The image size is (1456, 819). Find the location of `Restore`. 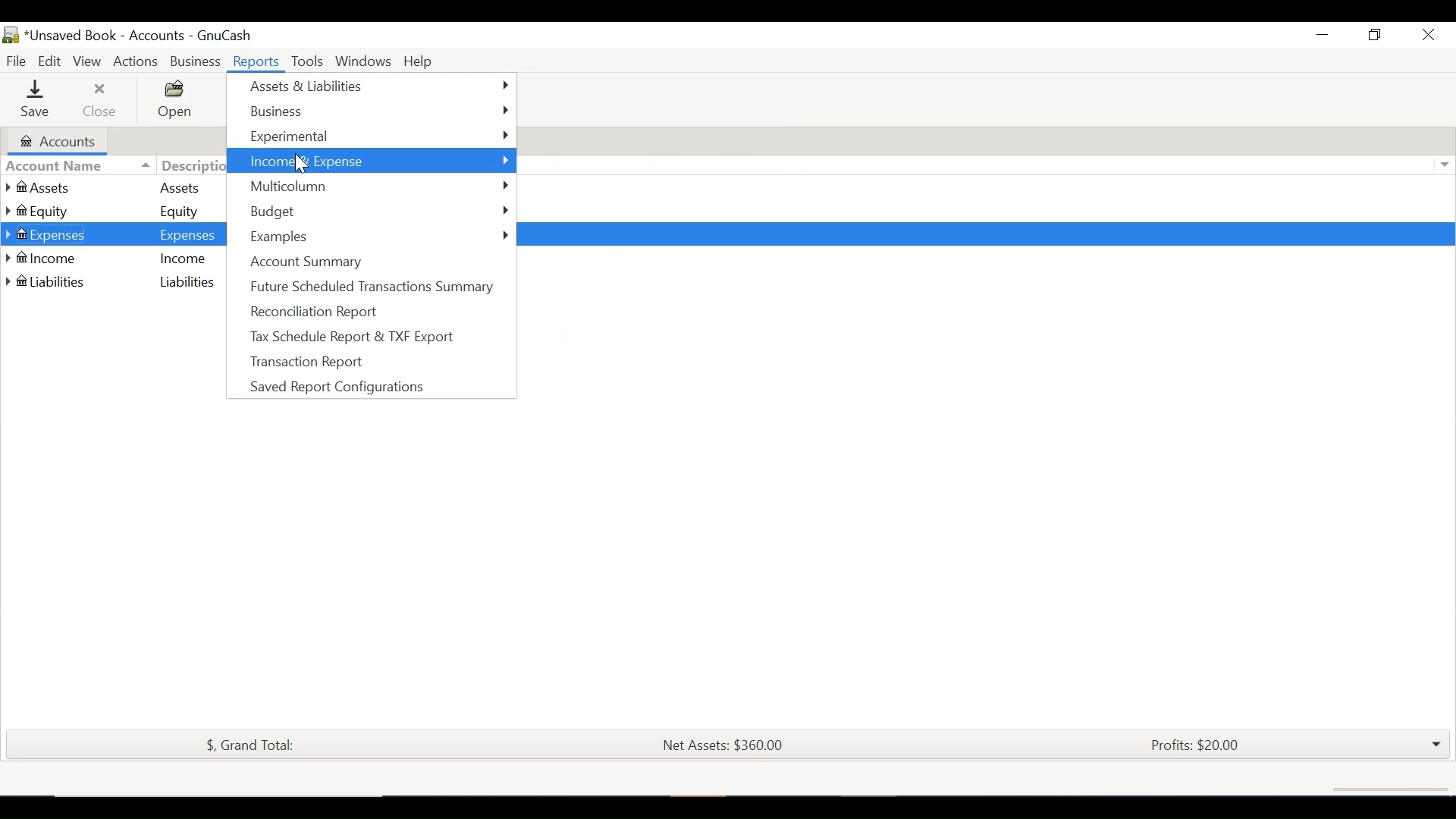

Restore is located at coordinates (1372, 36).